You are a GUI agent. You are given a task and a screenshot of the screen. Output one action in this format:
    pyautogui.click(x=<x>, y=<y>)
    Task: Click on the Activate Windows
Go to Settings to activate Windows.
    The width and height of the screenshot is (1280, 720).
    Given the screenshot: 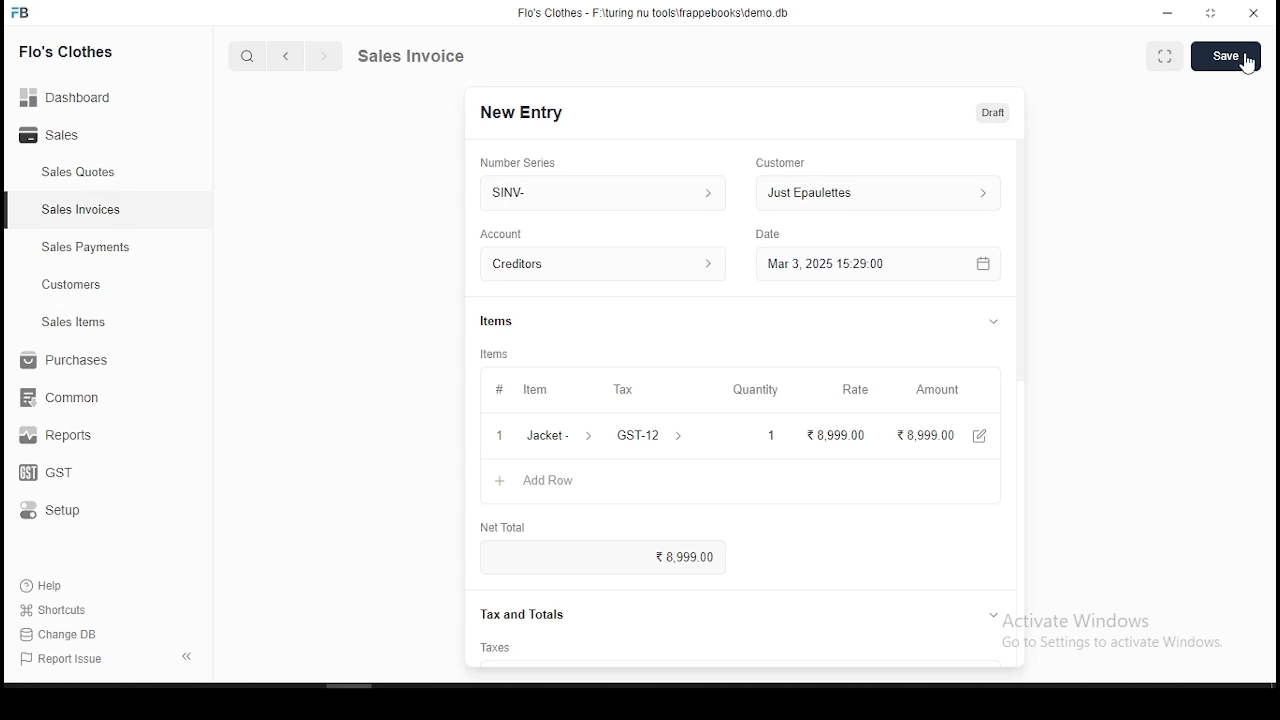 What is the action you would take?
    pyautogui.click(x=1125, y=627)
    